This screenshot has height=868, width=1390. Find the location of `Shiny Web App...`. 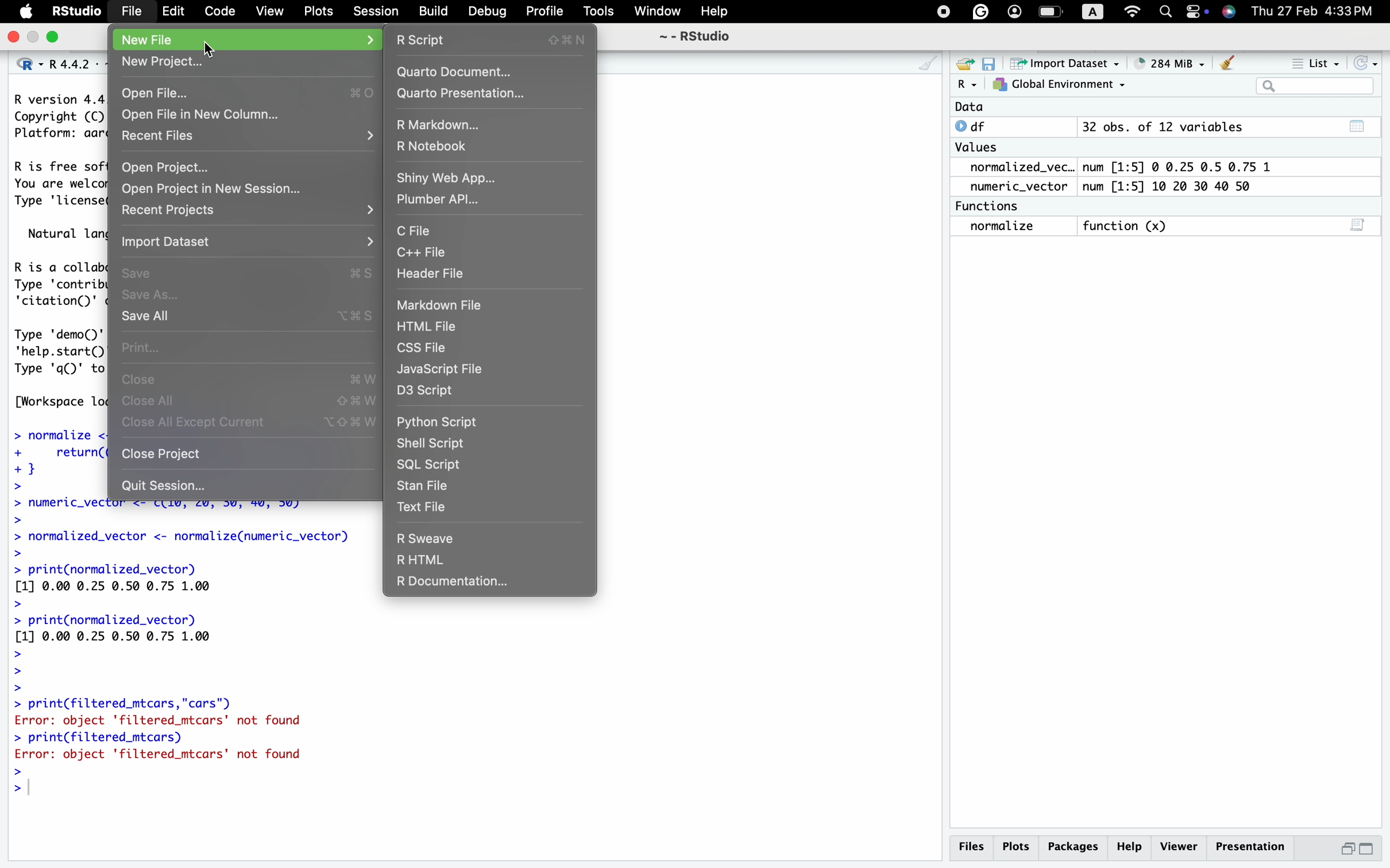

Shiny Web App... is located at coordinates (447, 176).